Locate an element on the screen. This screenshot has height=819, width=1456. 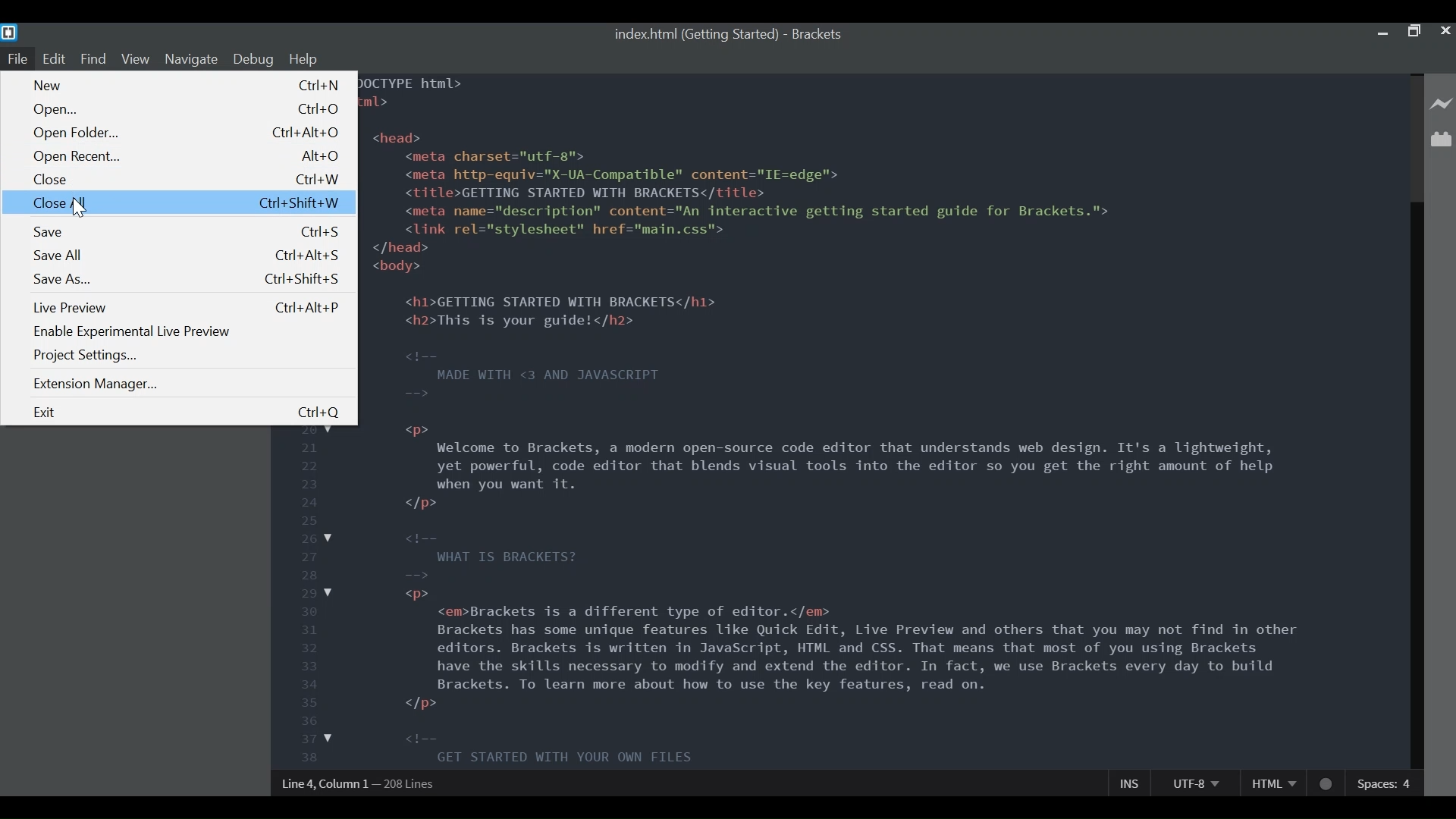
Open is located at coordinates (186, 110).